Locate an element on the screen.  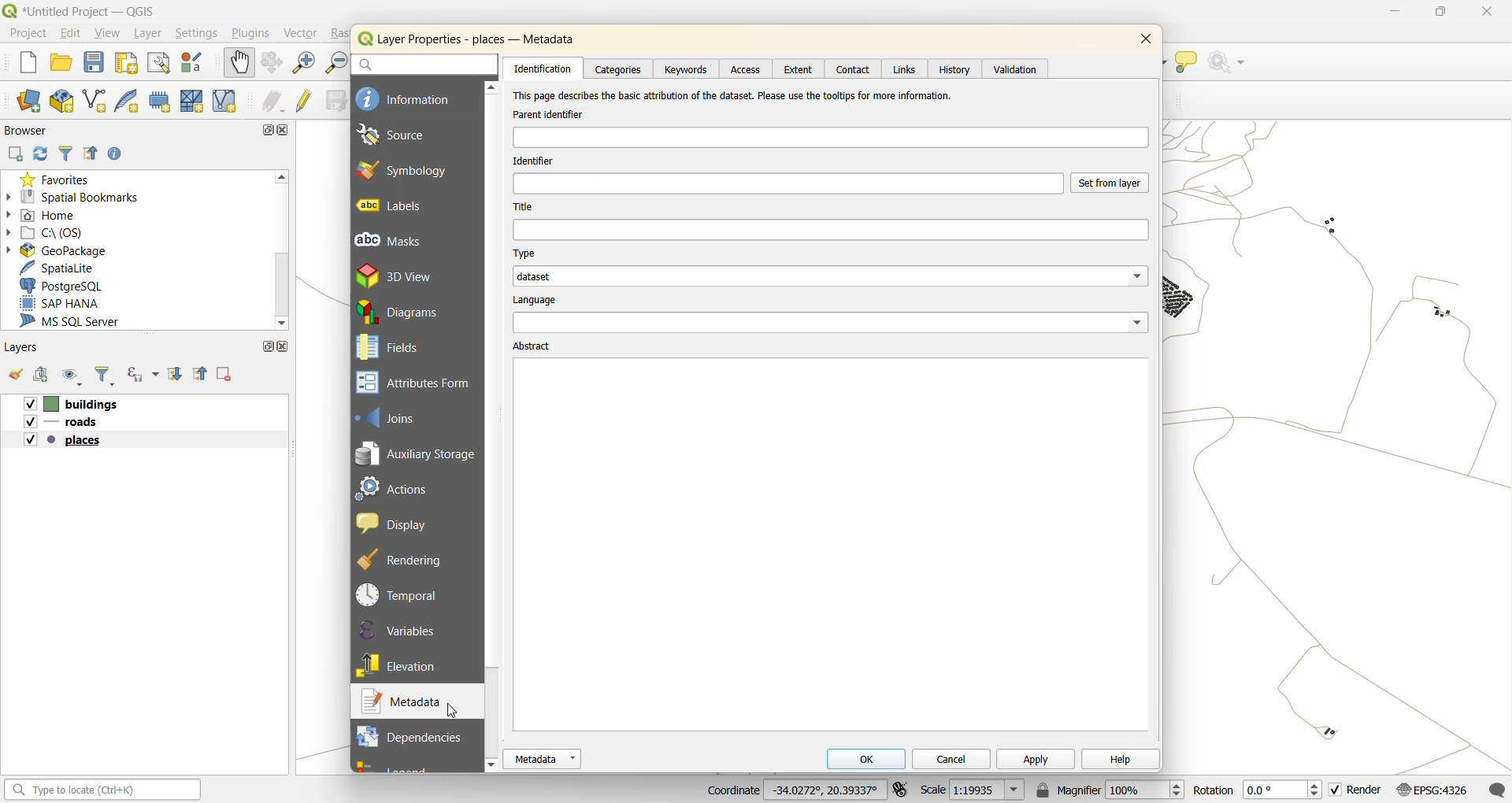
layers is located at coordinates (64, 440).